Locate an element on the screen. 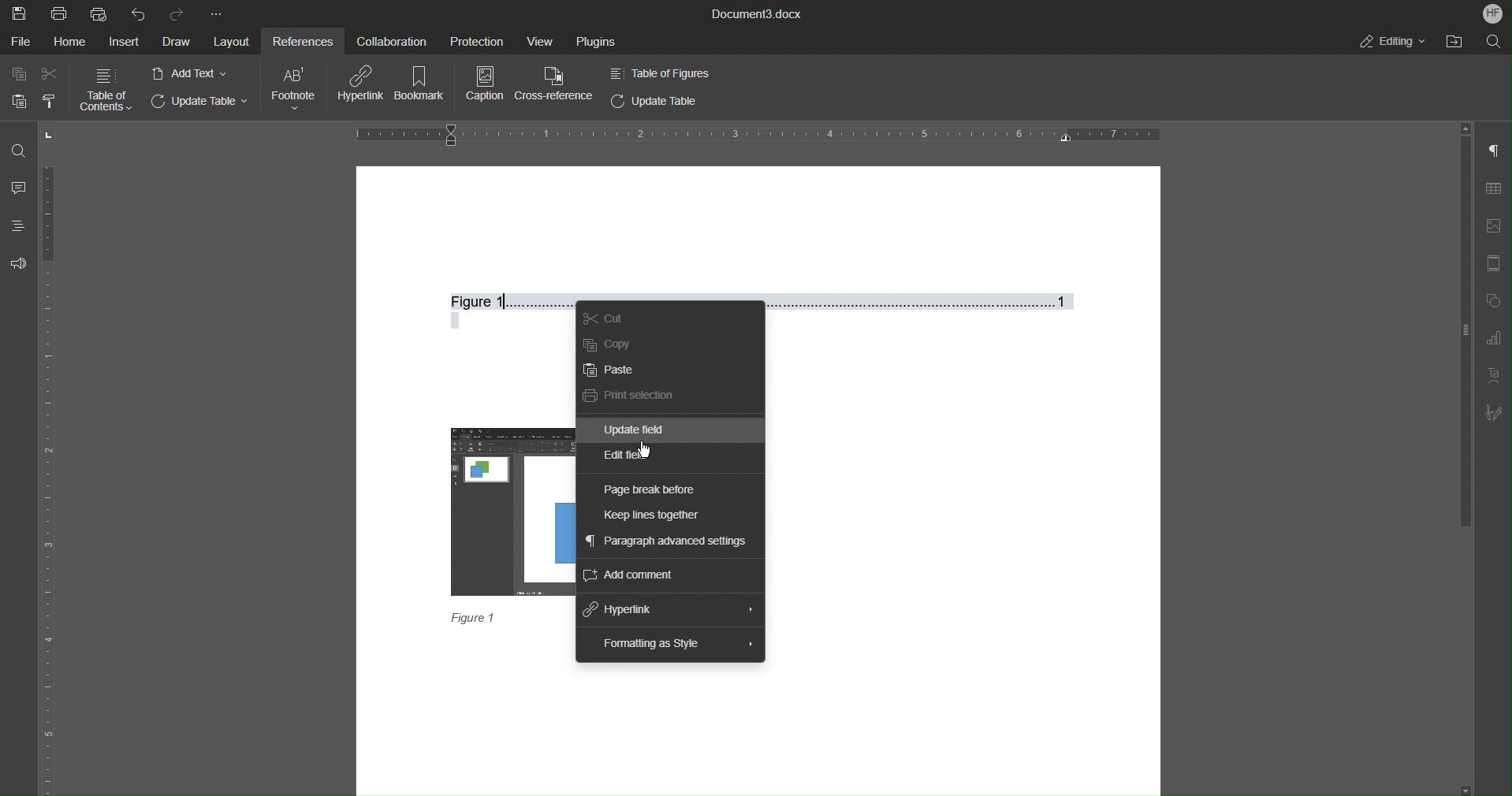 This screenshot has height=796, width=1512. Table Settings is located at coordinates (1494, 189).